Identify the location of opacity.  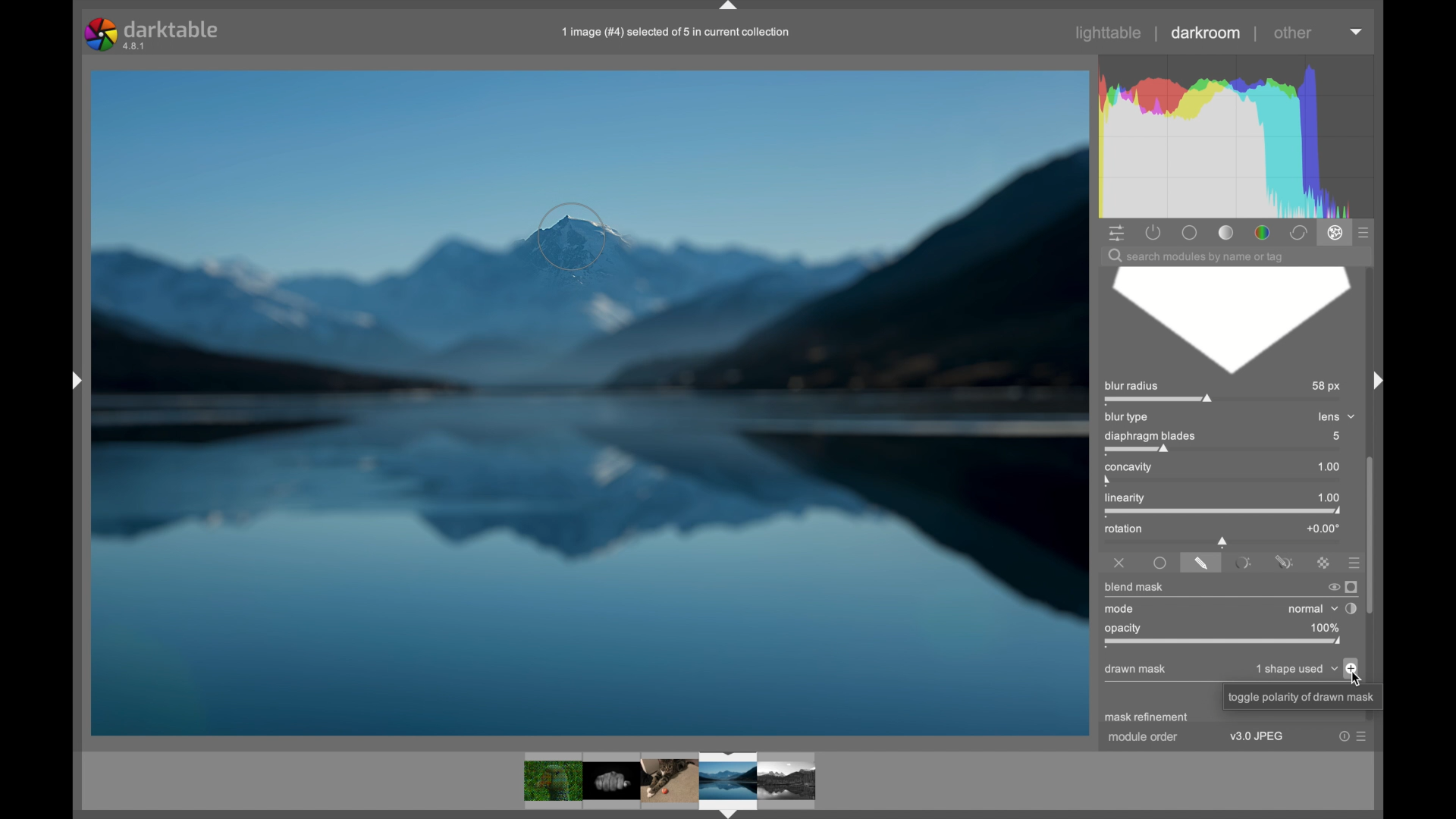
(1125, 628).